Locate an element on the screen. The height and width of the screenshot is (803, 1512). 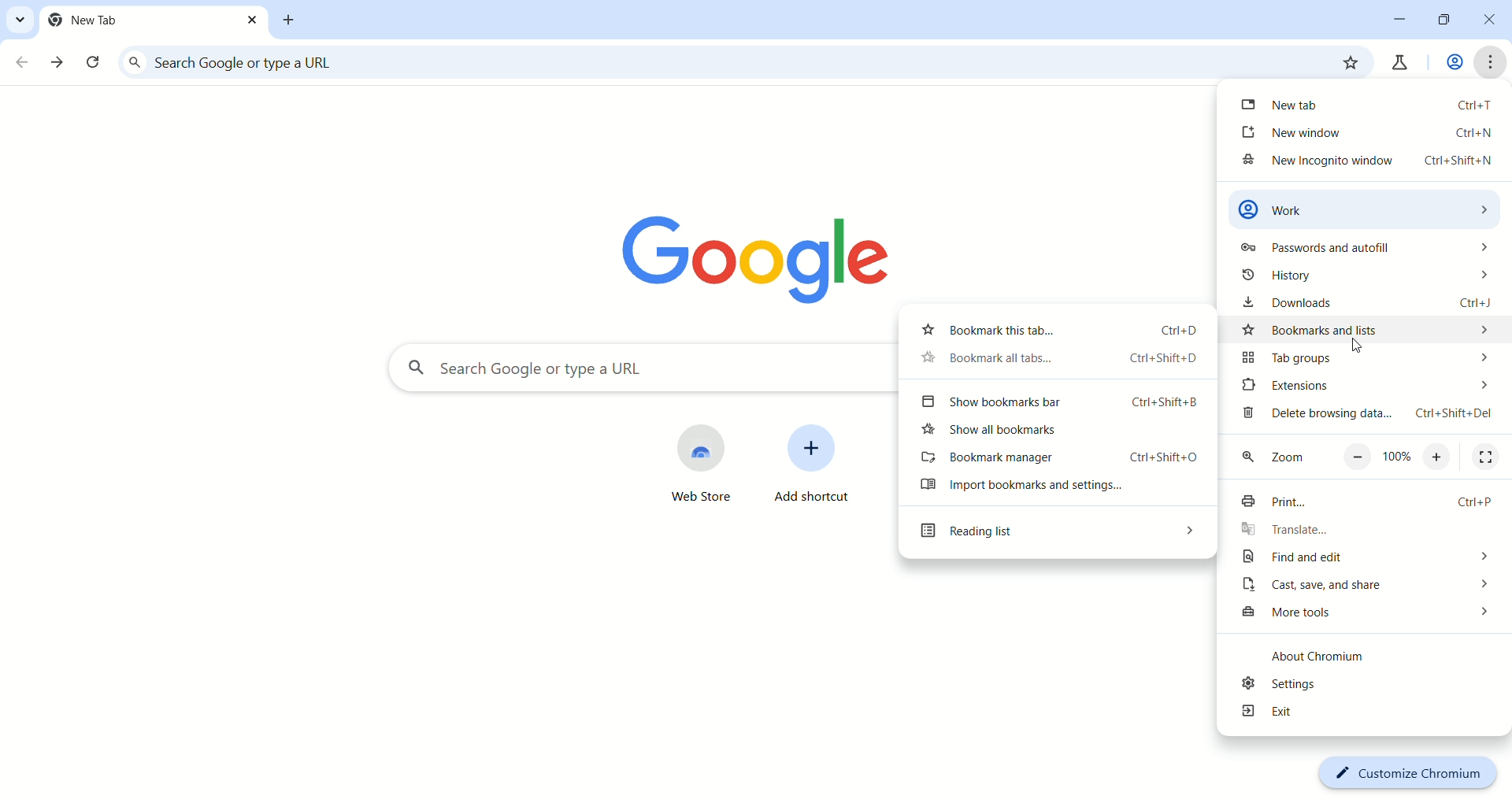
new tab is located at coordinates (1368, 103).